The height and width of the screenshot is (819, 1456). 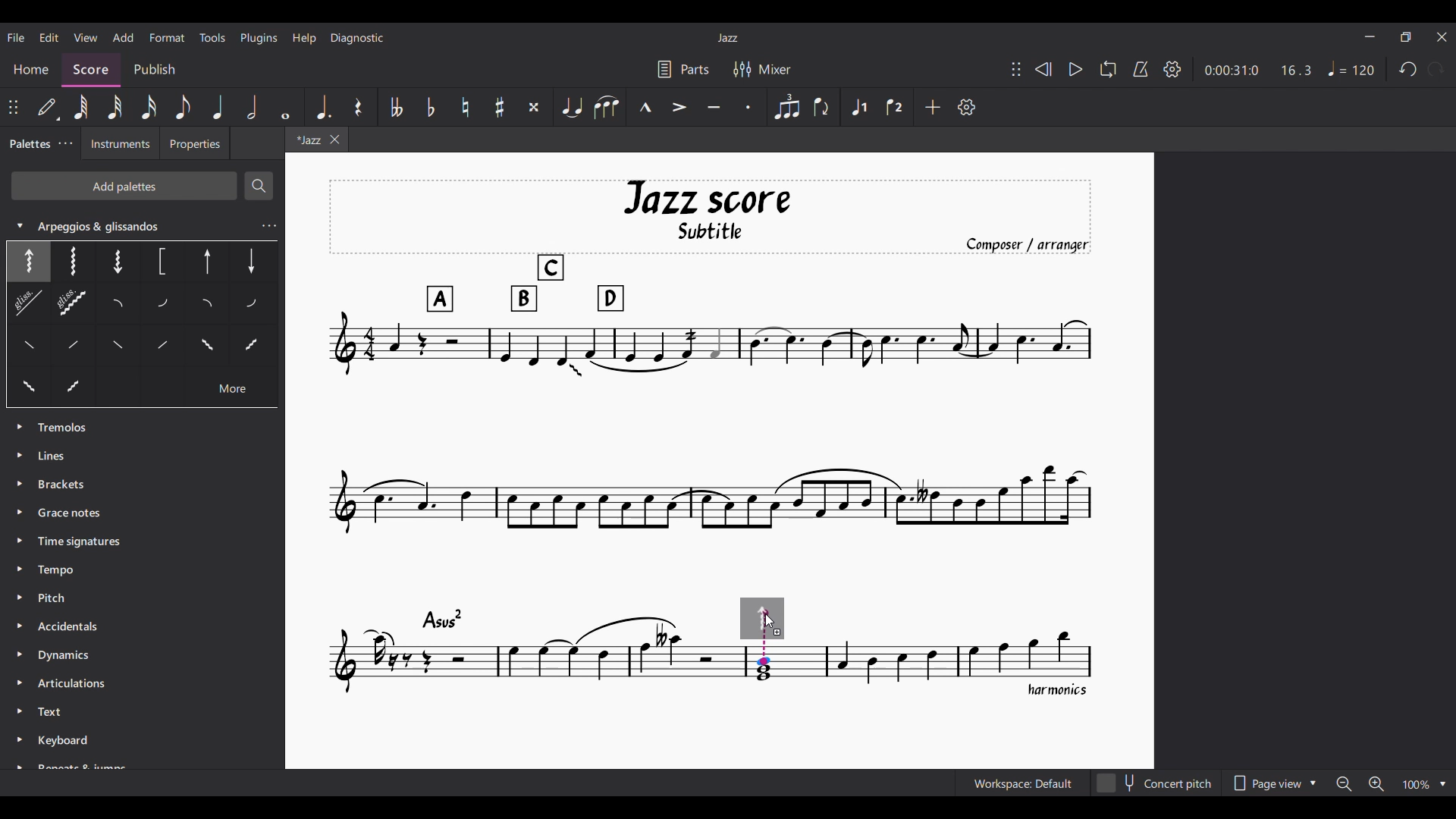 What do you see at coordinates (934, 107) in the screenshot?
I see `Add` at bounding box center [934, 107].